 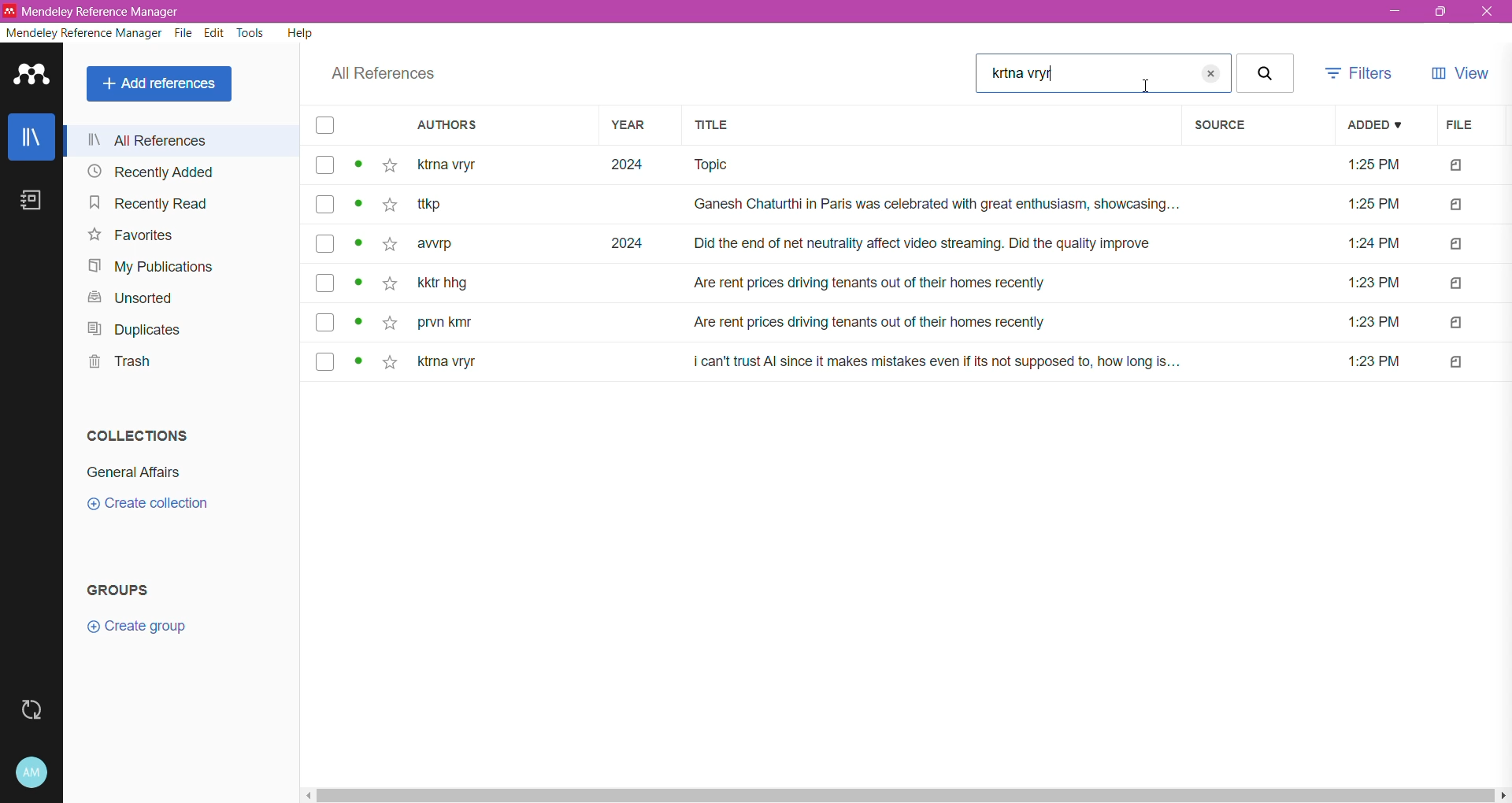 I want to click on file type, so click(x=1456, y=206).